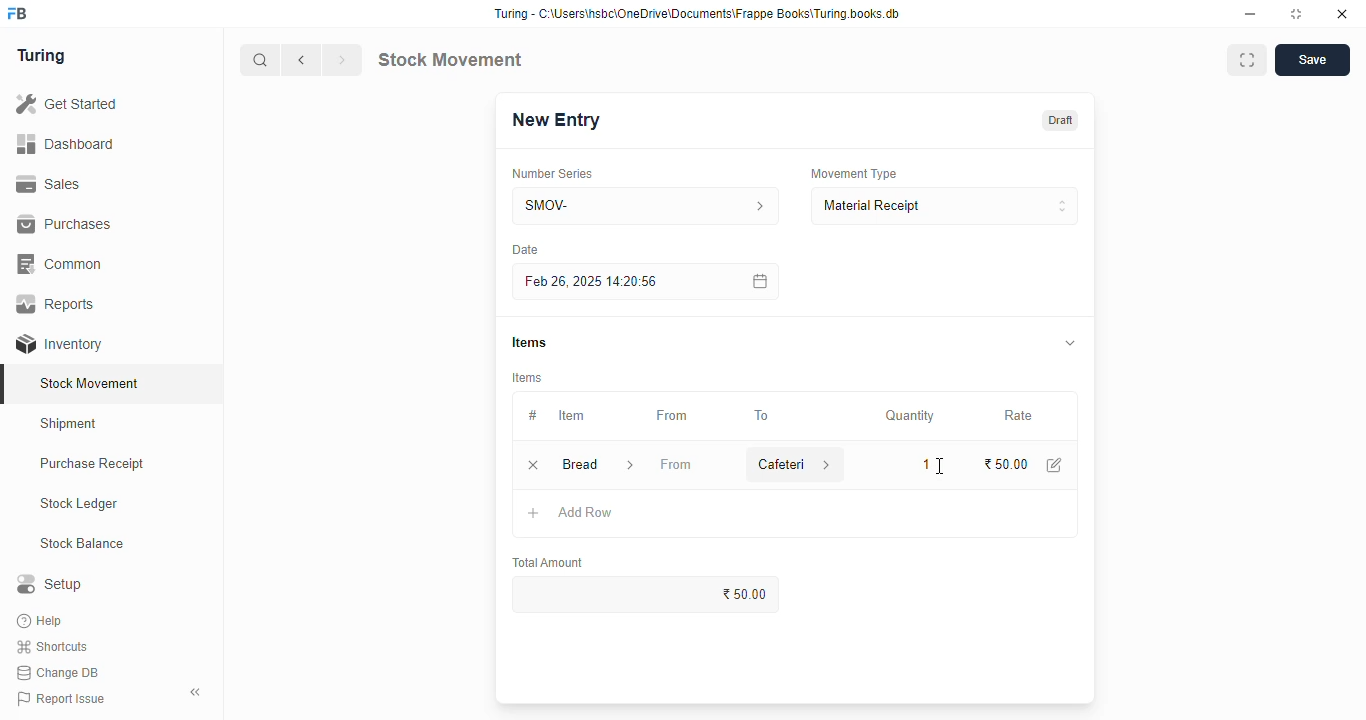 This screenshot has height=720, width=1366. I want to click on calendar, so click(758, 281).